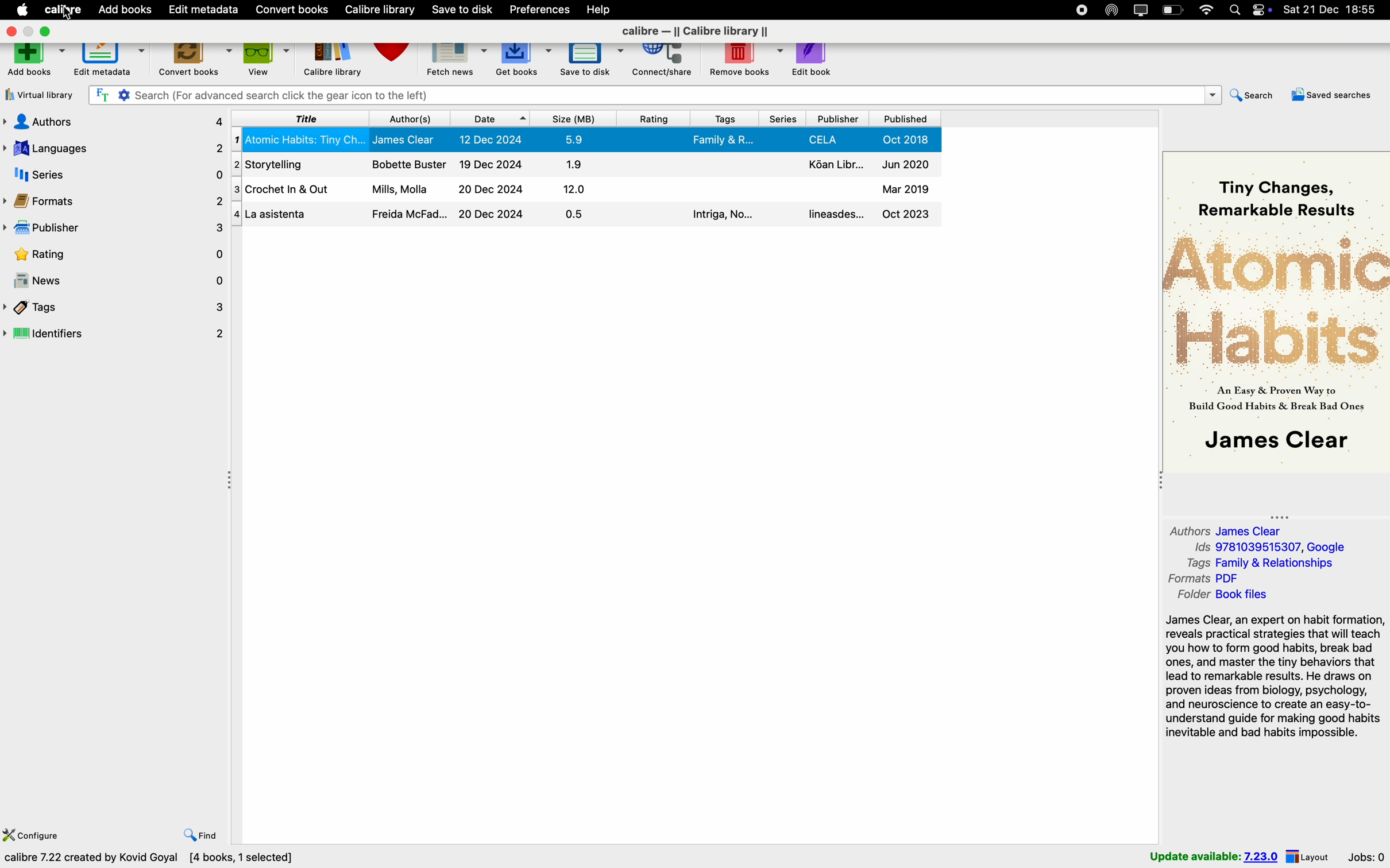 This screenshot has width=1390, height=868. I want to click on languages, so click(115, 148).